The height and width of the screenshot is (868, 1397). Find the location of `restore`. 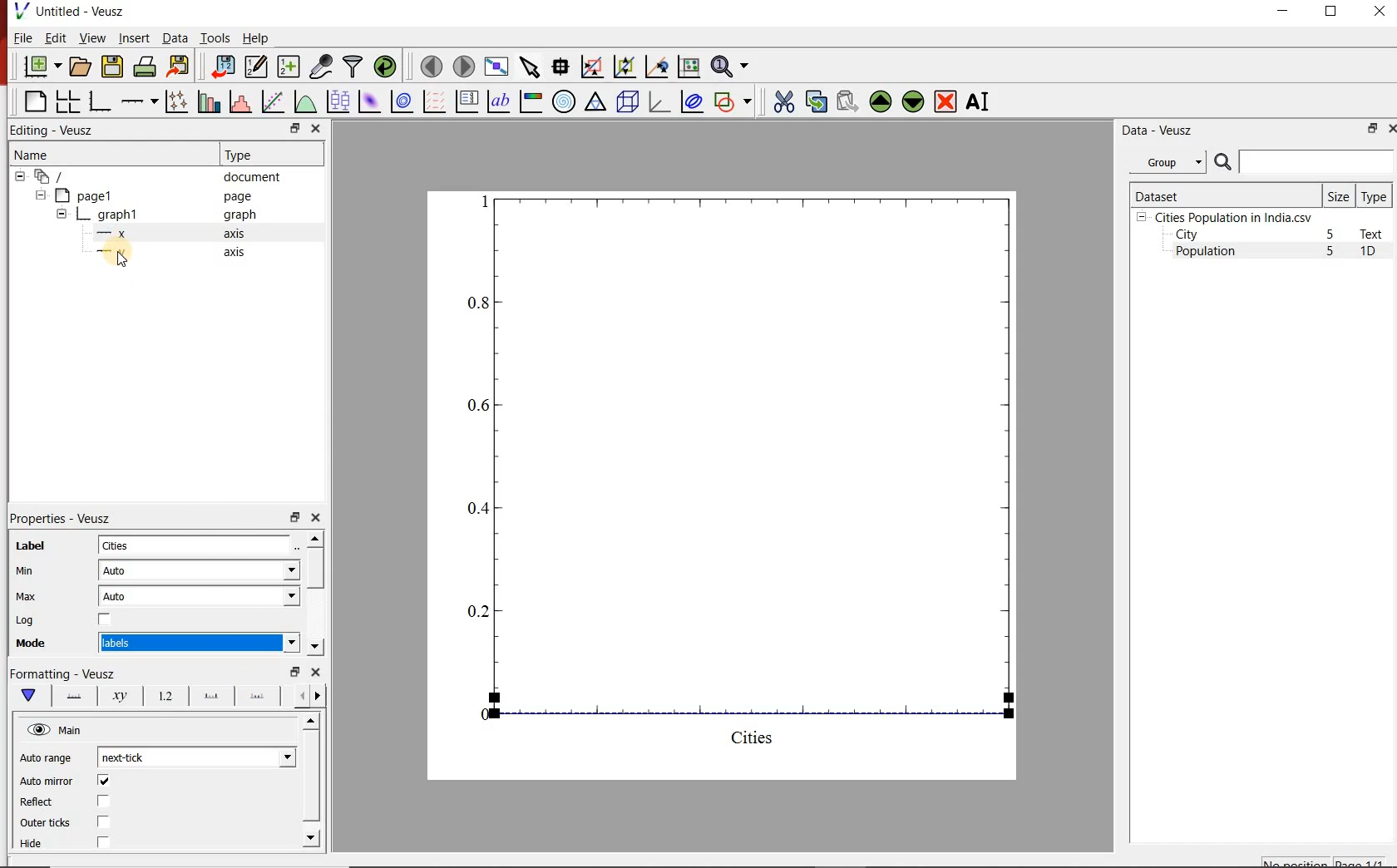

restore is located at coordinates (294, 128).